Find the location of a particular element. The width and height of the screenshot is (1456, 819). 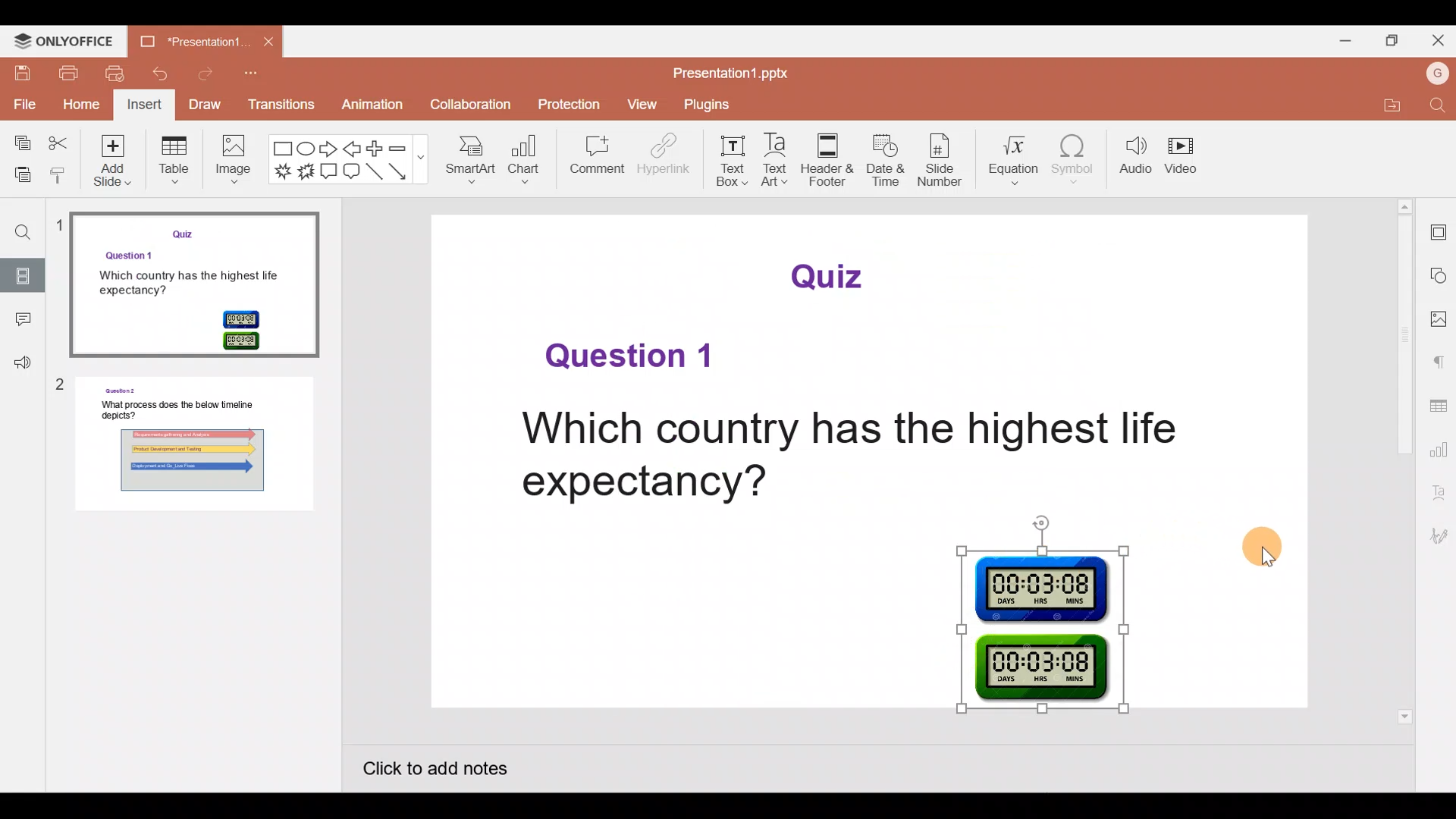

Comment is located at coordinates (21, 324).